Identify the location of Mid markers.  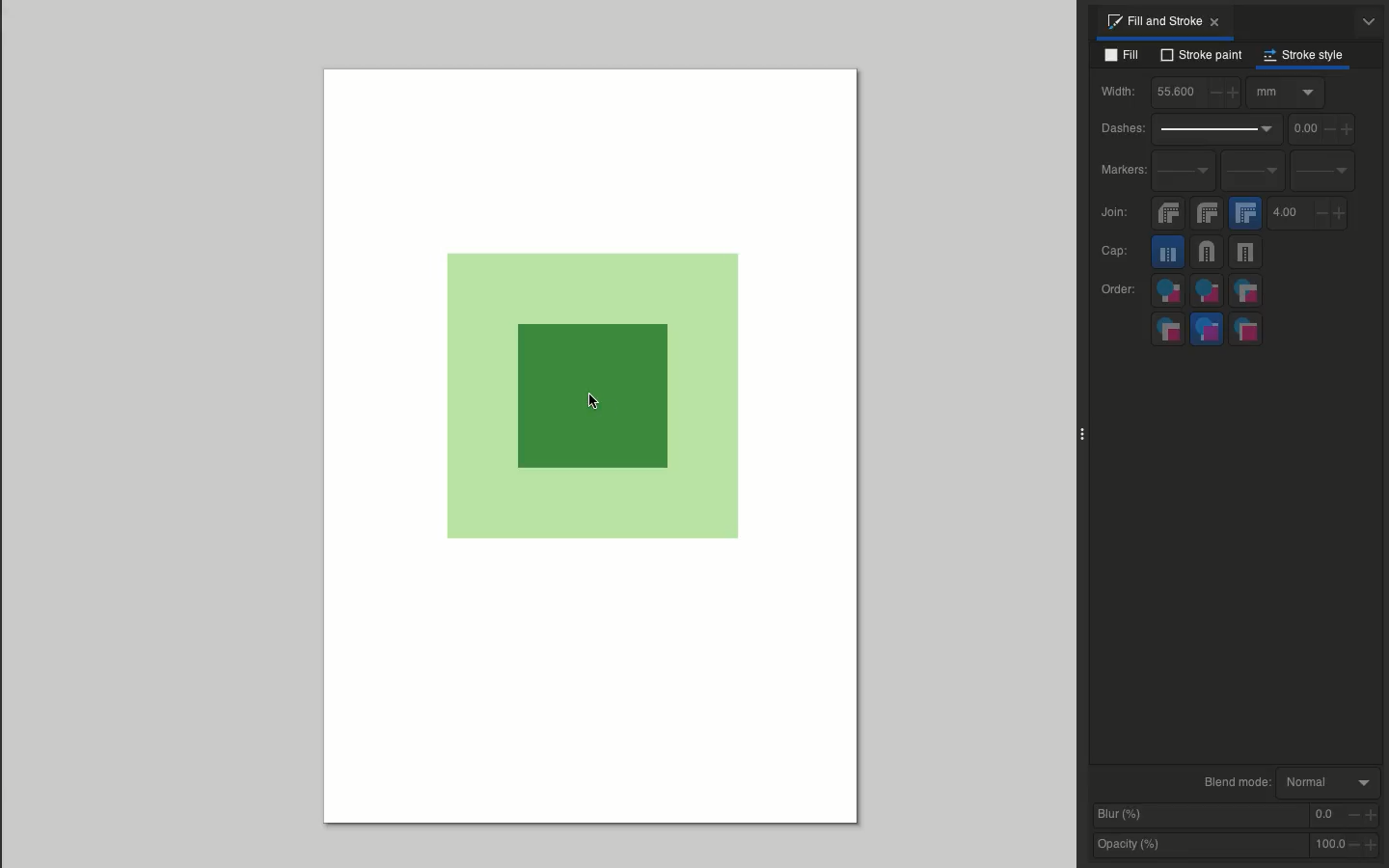
(1255, 172).